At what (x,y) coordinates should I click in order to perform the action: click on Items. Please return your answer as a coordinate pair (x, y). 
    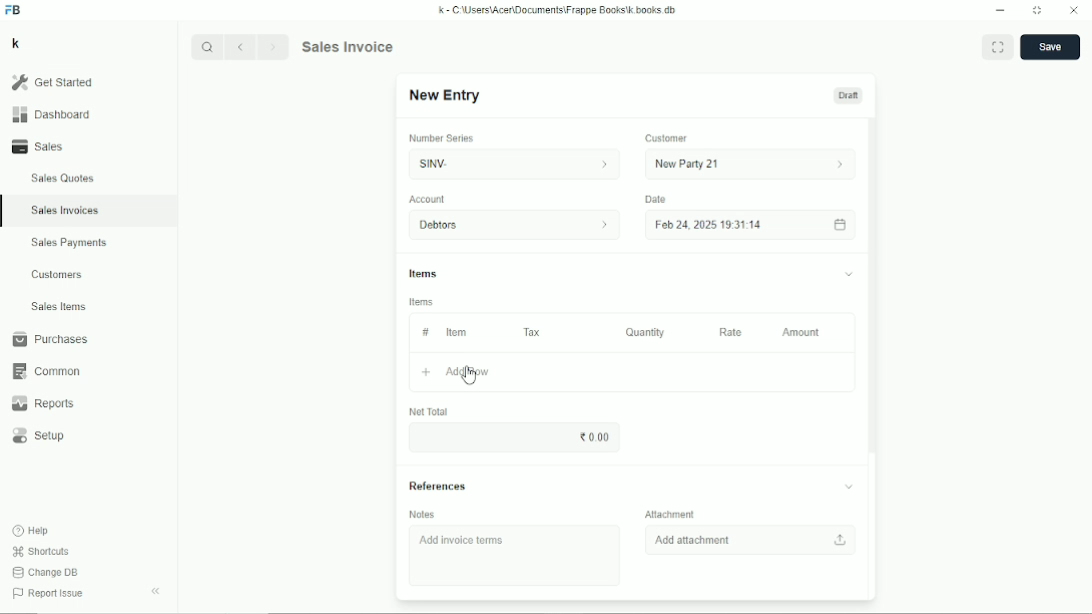
    Looking at the image, I should click on (631, 276).